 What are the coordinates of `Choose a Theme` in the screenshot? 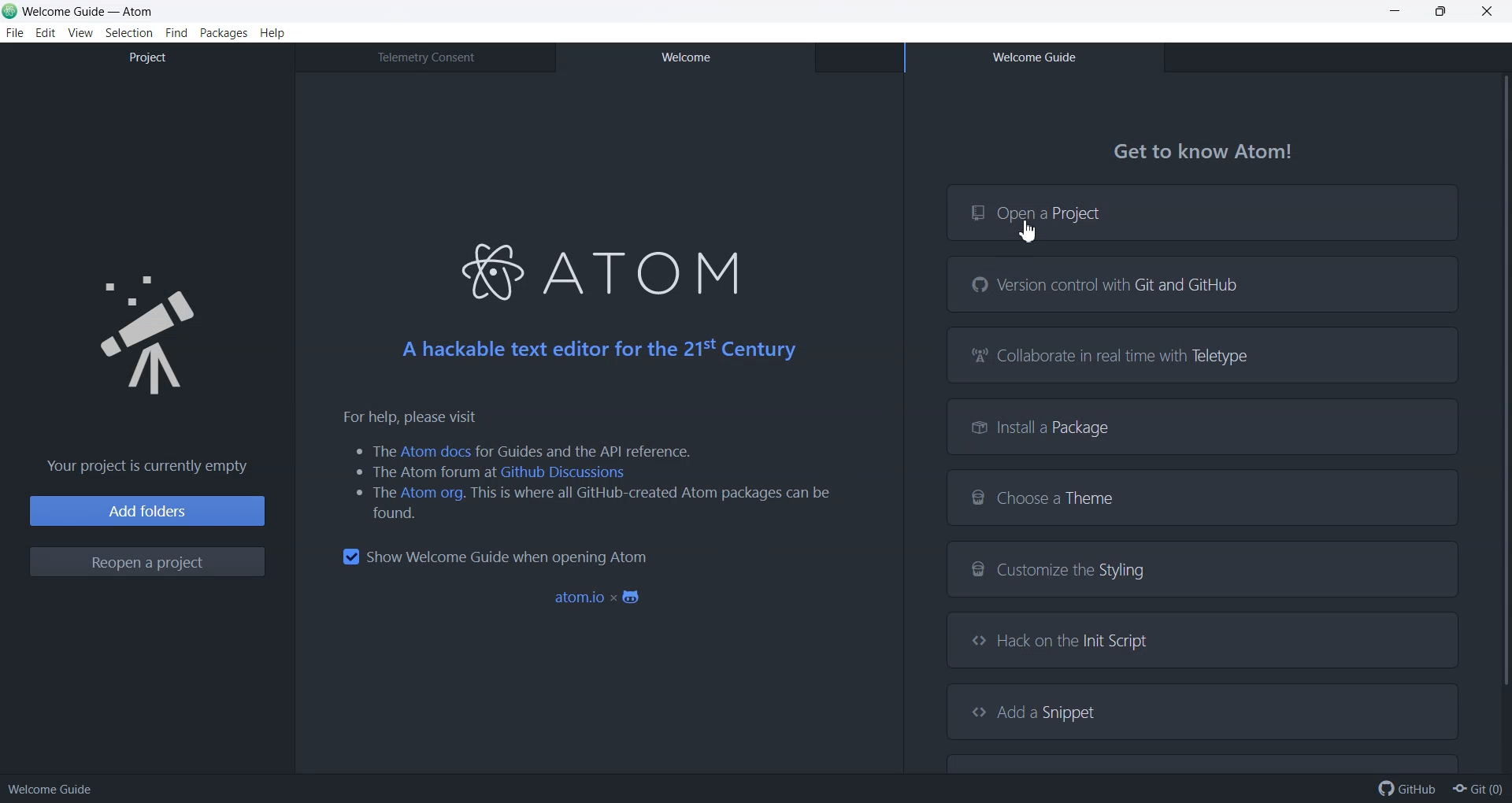 It's located at (1204, 497).